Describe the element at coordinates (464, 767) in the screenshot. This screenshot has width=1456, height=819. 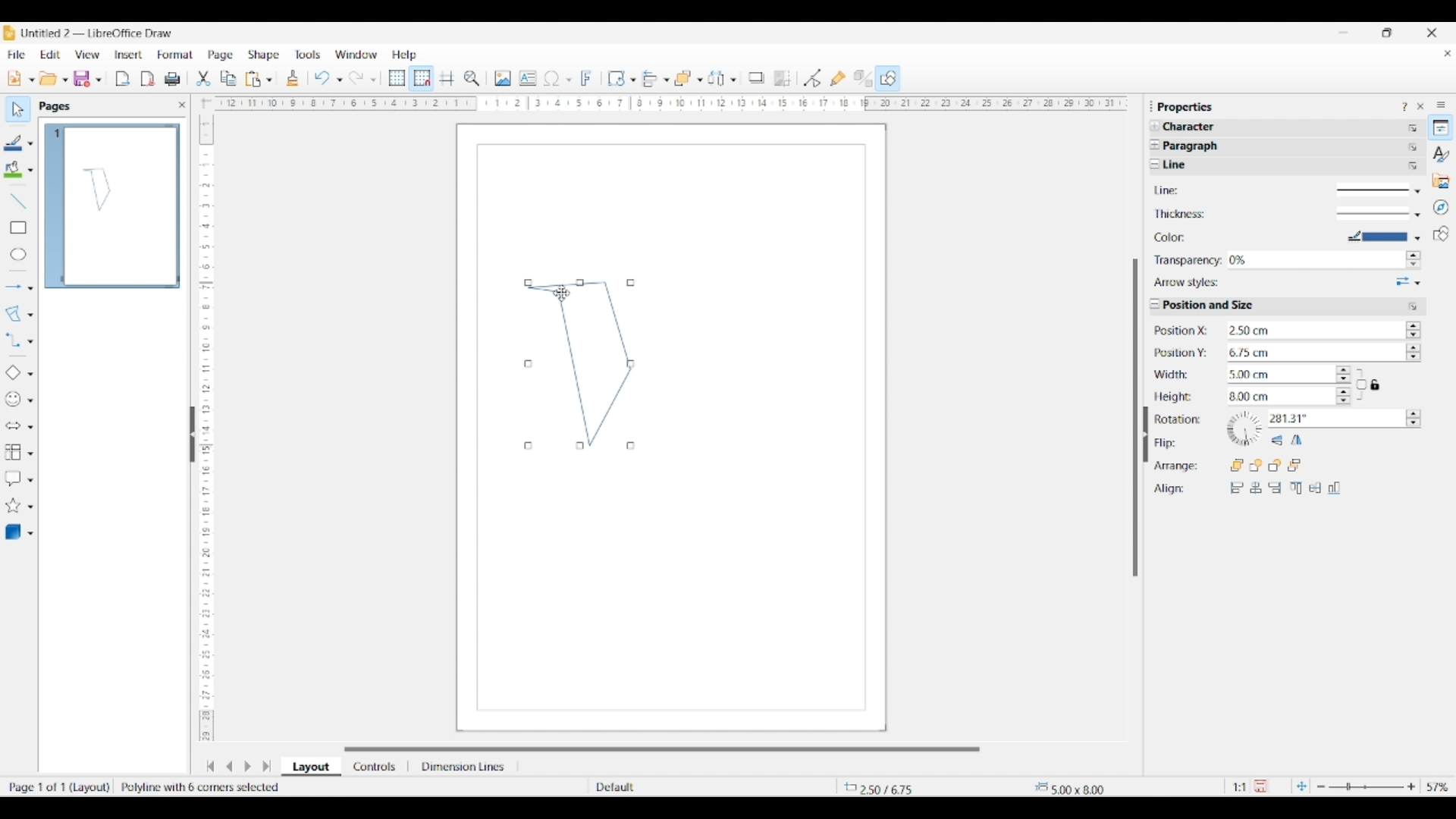
I see `Dimension lines` at that location.